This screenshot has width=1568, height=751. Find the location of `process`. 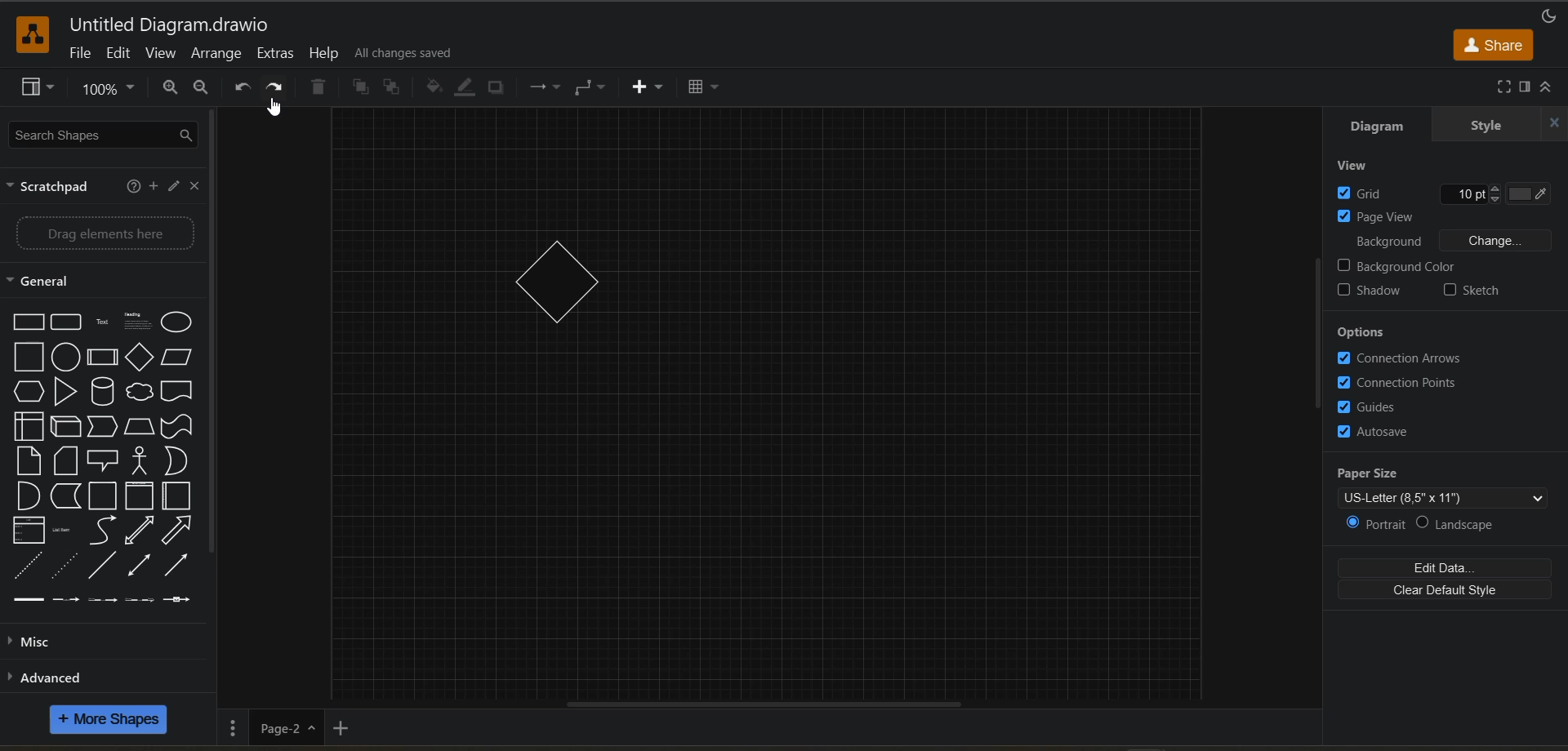

process is located at coordinates (101, 359).